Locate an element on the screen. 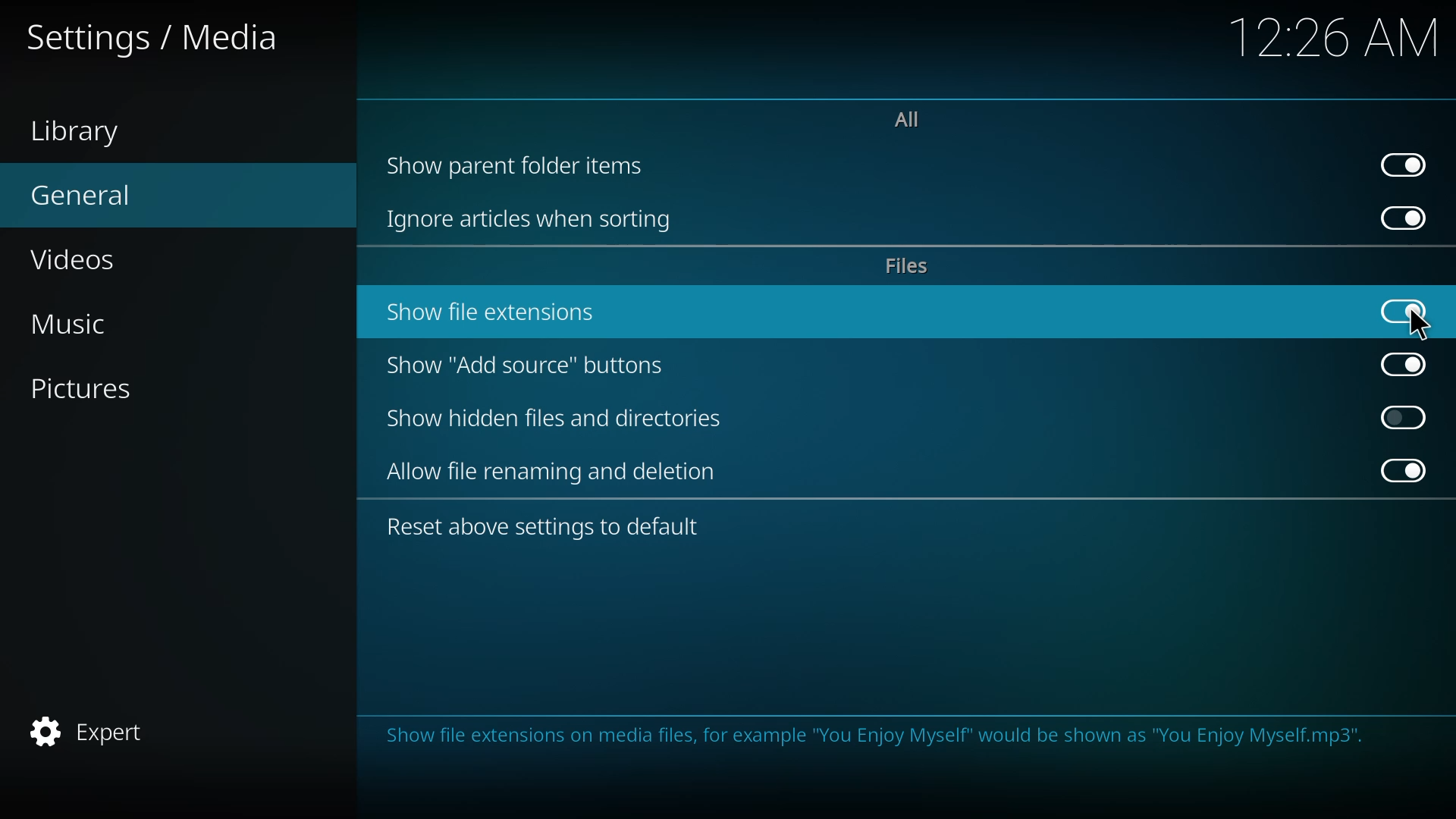 The width and height of the screenshot is (1456, 819). music is located at coordinates (82, 326).